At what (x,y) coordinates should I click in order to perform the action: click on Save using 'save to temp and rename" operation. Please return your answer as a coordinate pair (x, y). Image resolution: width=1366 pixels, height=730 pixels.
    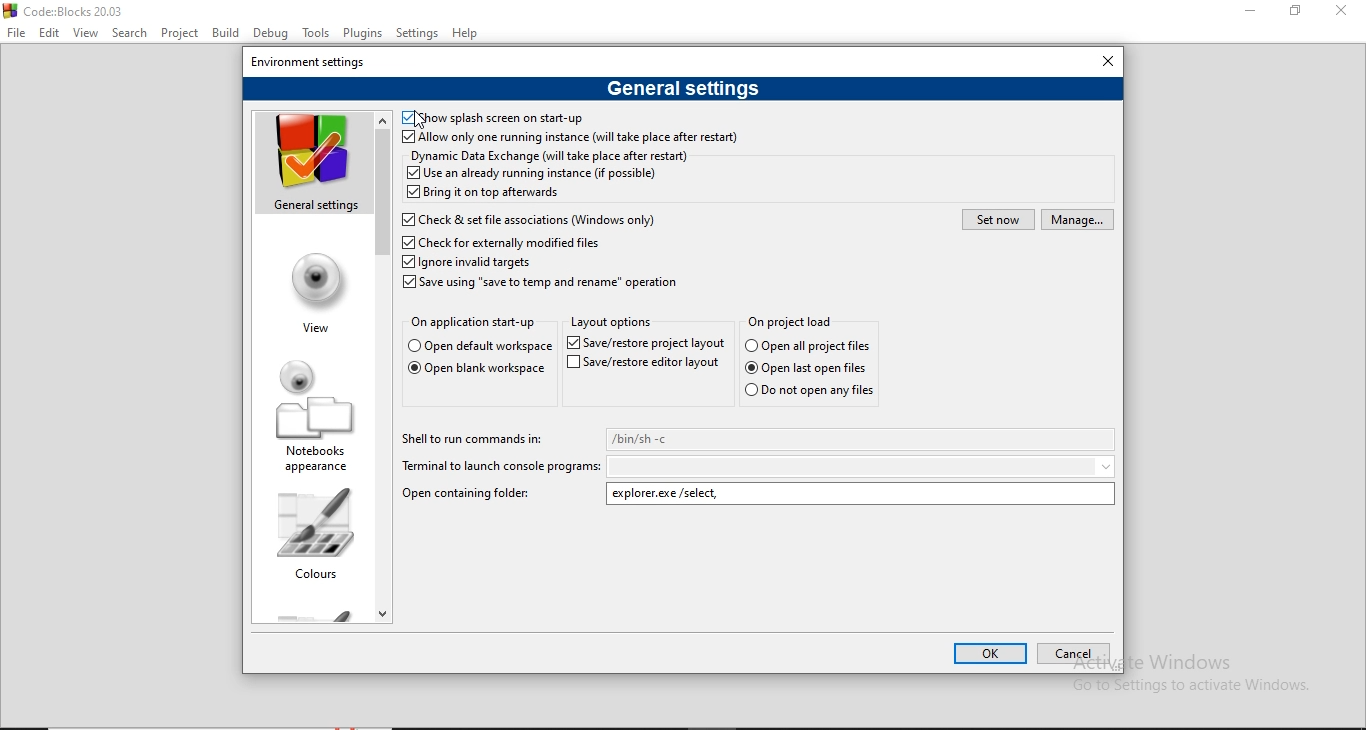
    Looking at the image, I should click on (544, 285).